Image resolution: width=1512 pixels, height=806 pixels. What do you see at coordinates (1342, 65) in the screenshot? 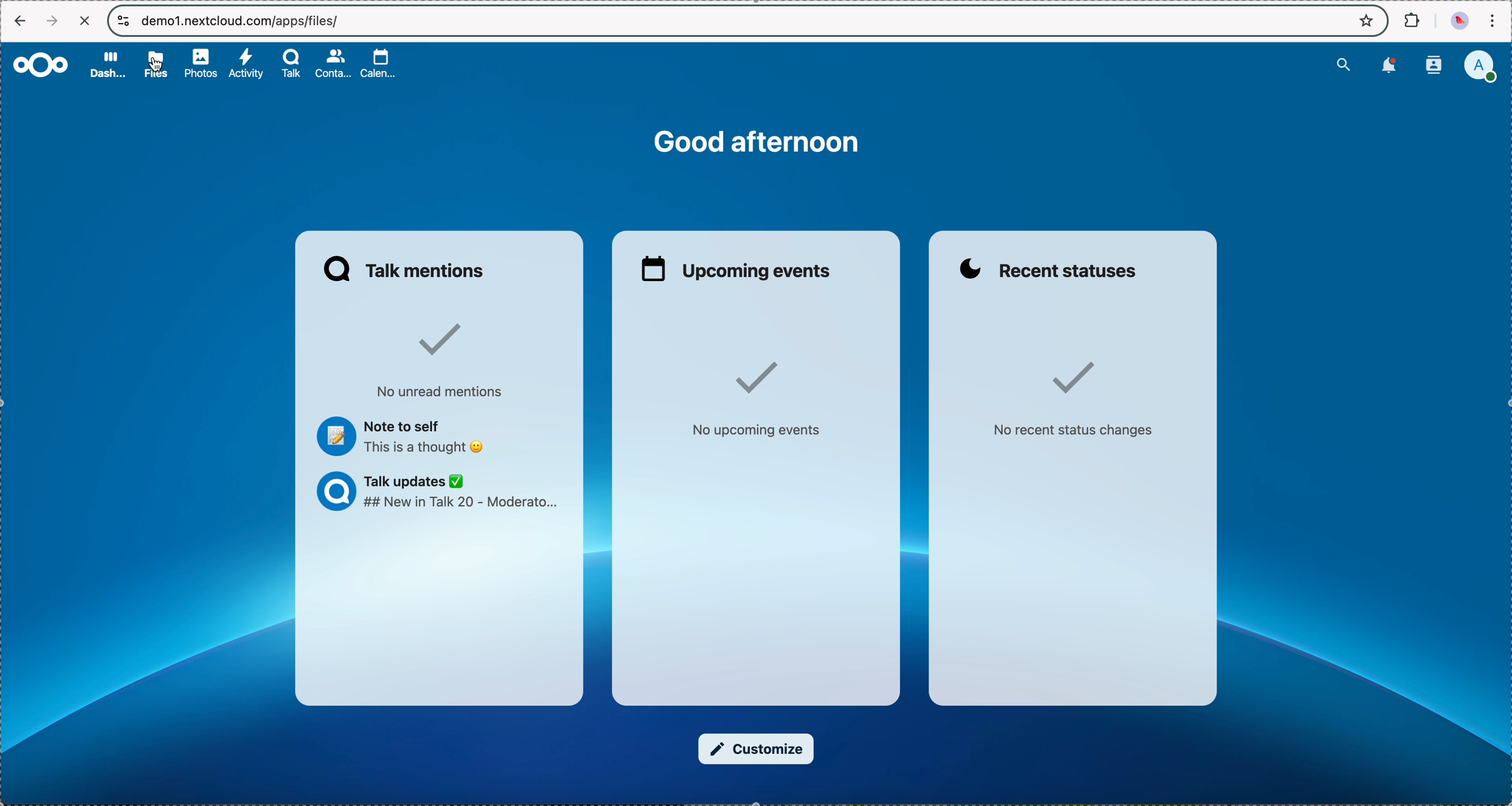
I see `search` at bounding box center [1342, 65].